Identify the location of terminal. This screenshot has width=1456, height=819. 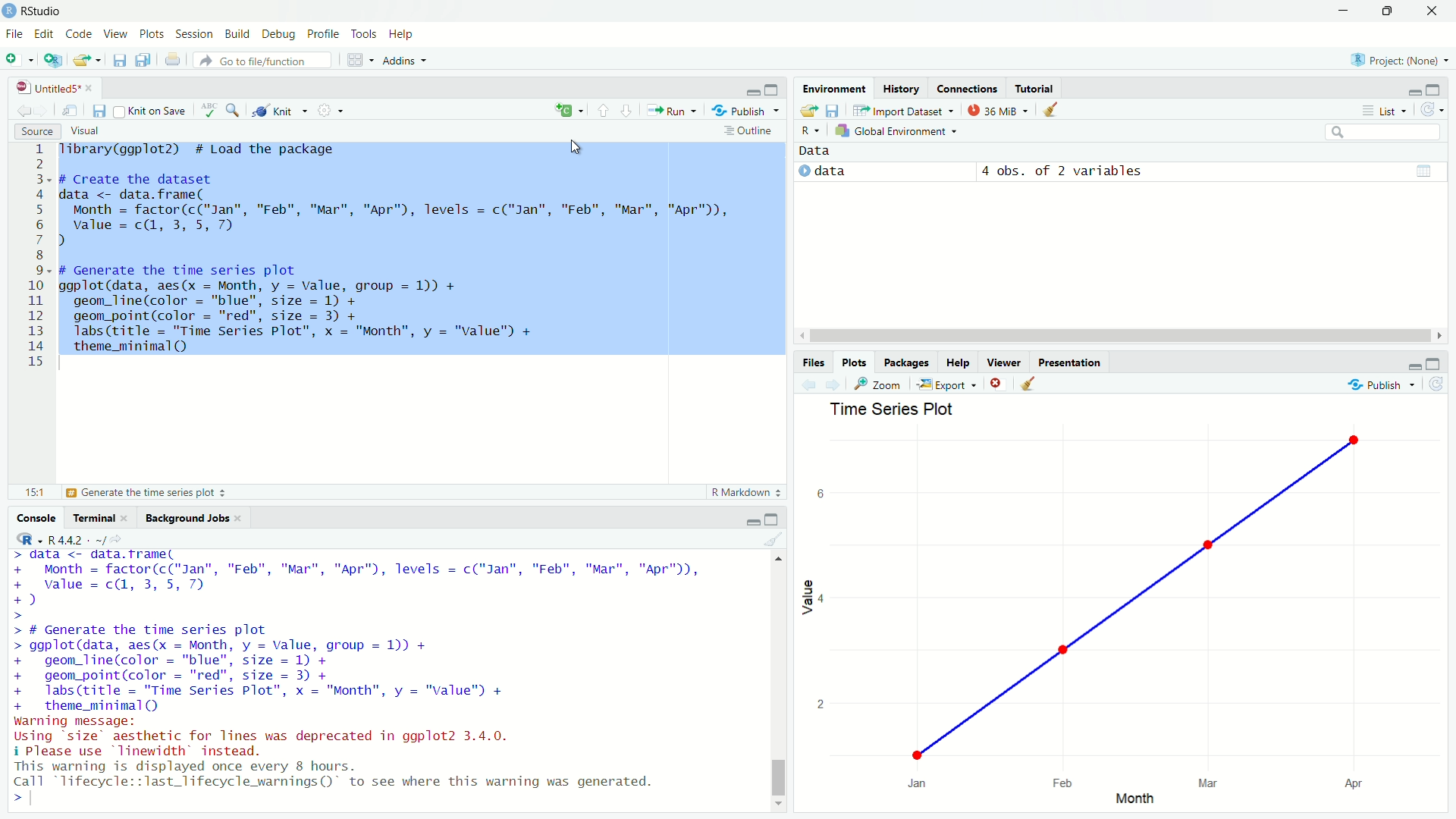
(91, 516).